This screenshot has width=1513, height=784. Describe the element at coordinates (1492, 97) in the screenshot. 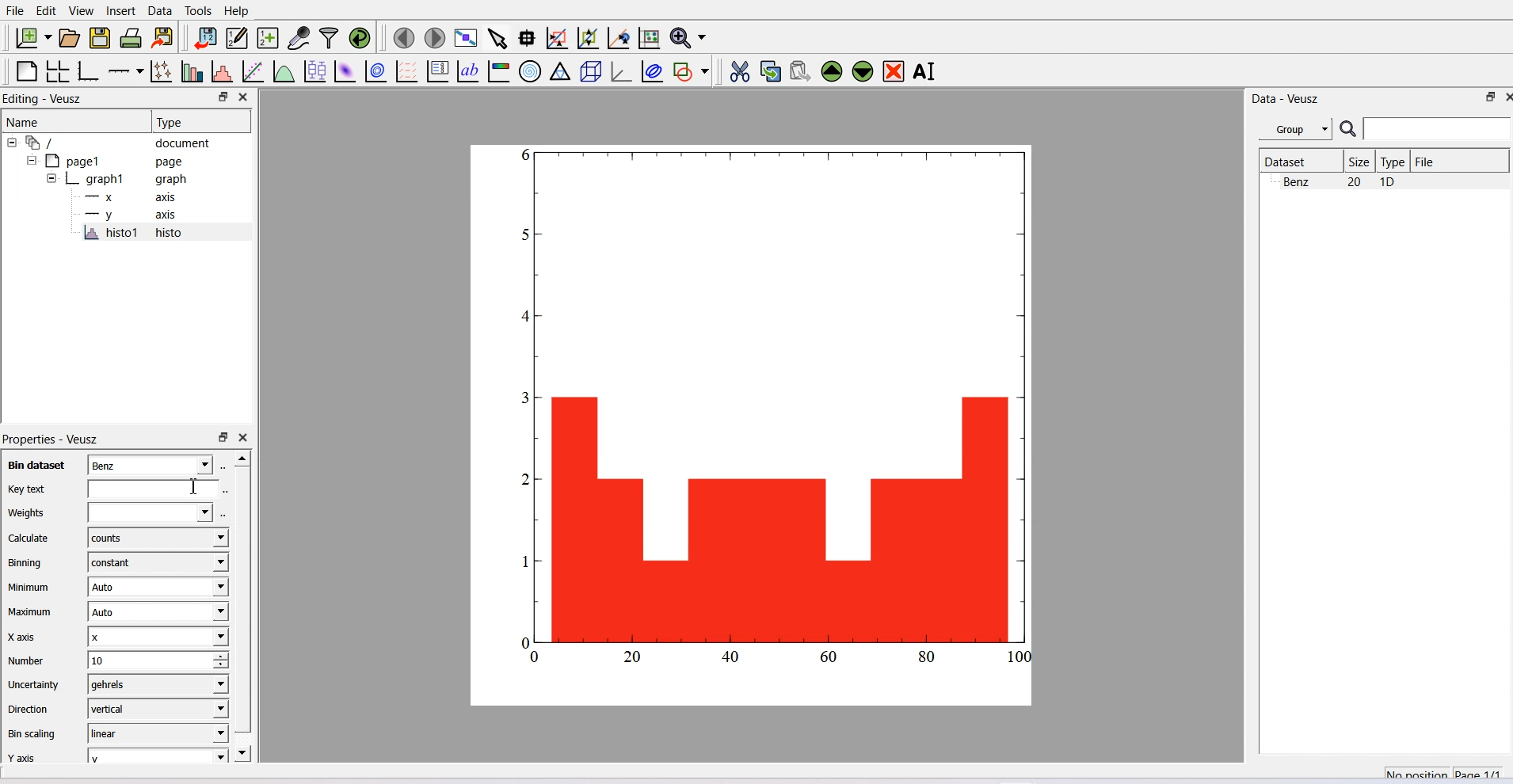

I see `Maximize` at that location.